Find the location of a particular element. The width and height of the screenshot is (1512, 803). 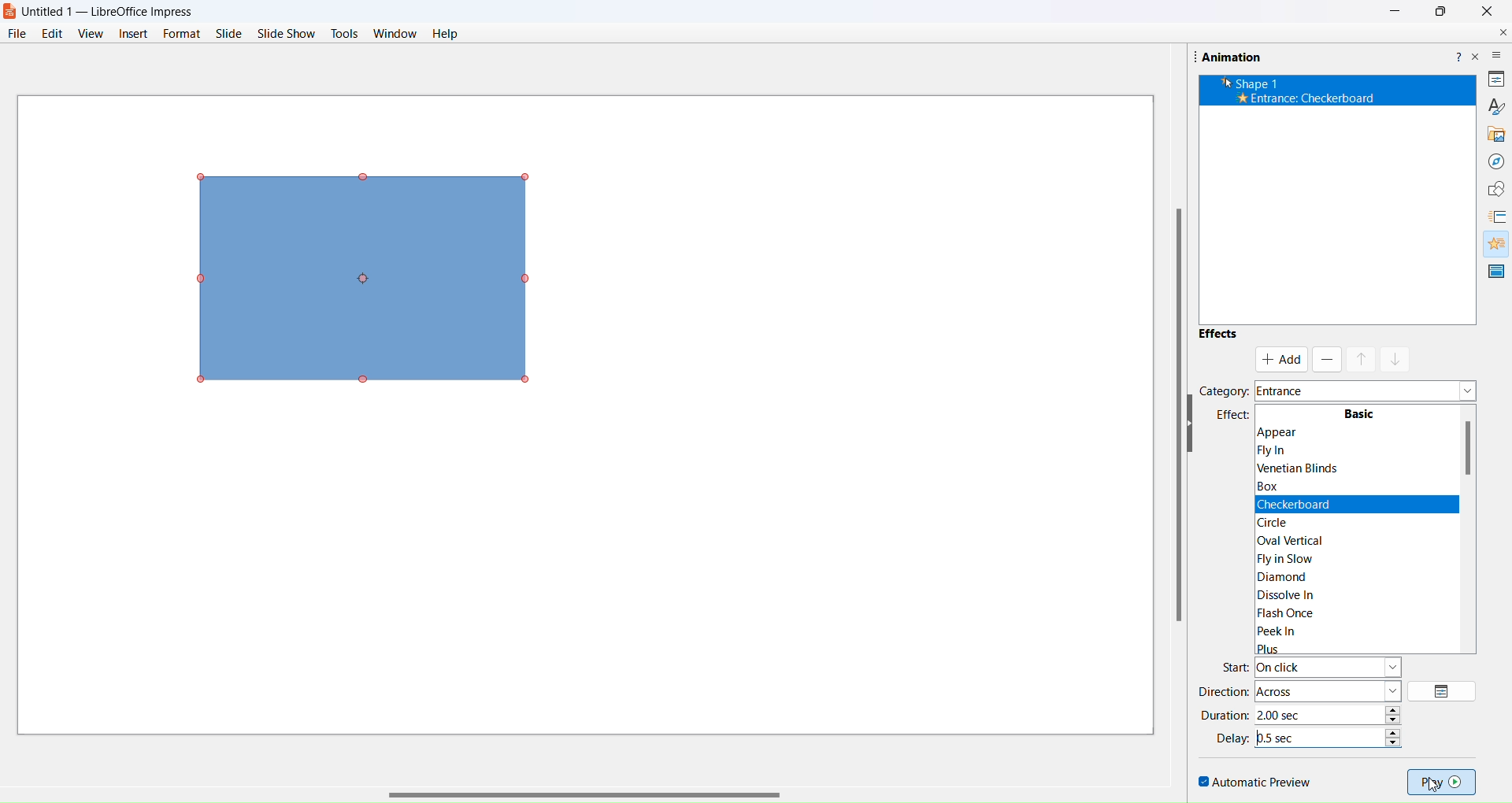

add is located at coordinates (1282, 360).